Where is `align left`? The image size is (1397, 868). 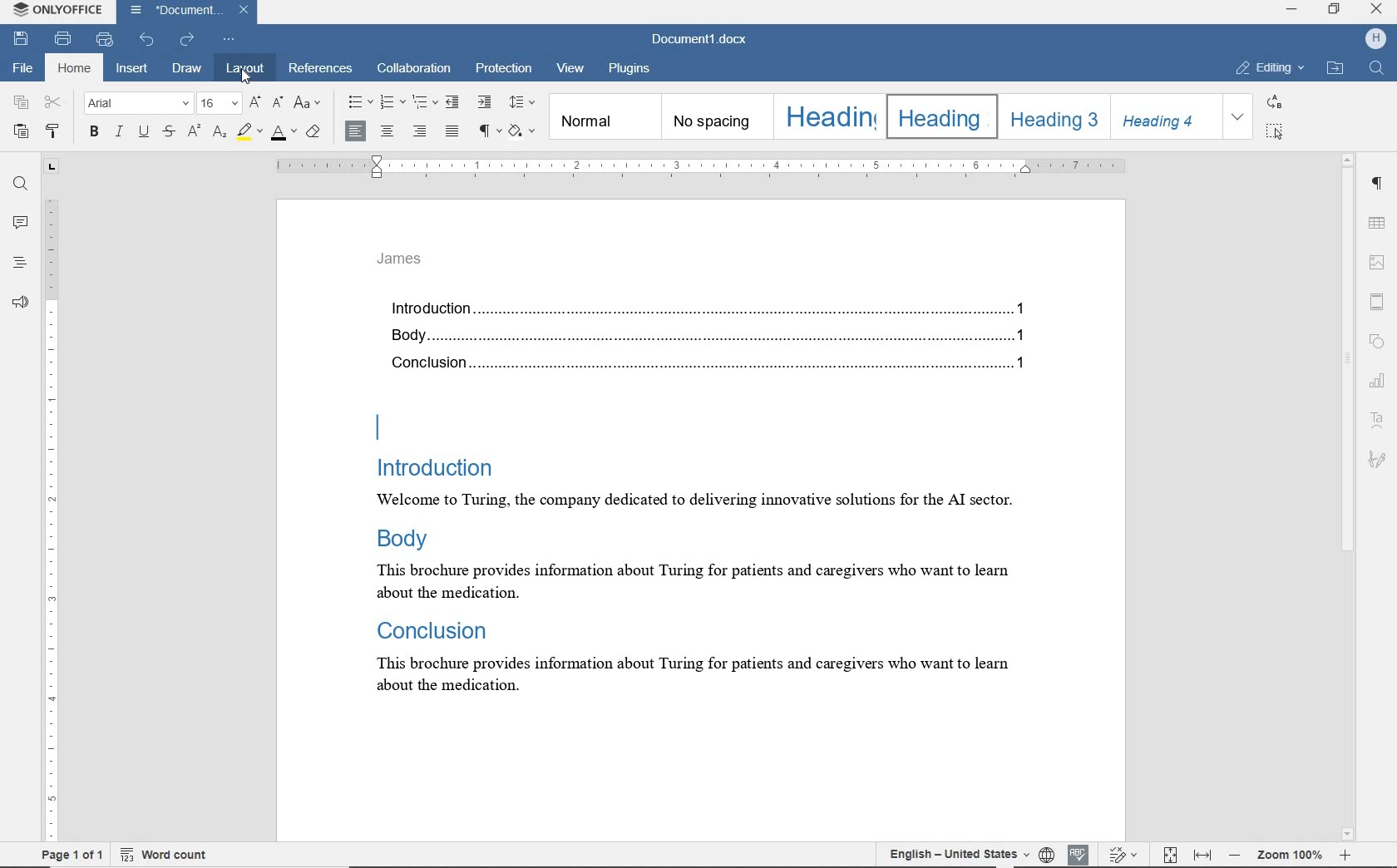 align left is located at coordinates (353, 131).